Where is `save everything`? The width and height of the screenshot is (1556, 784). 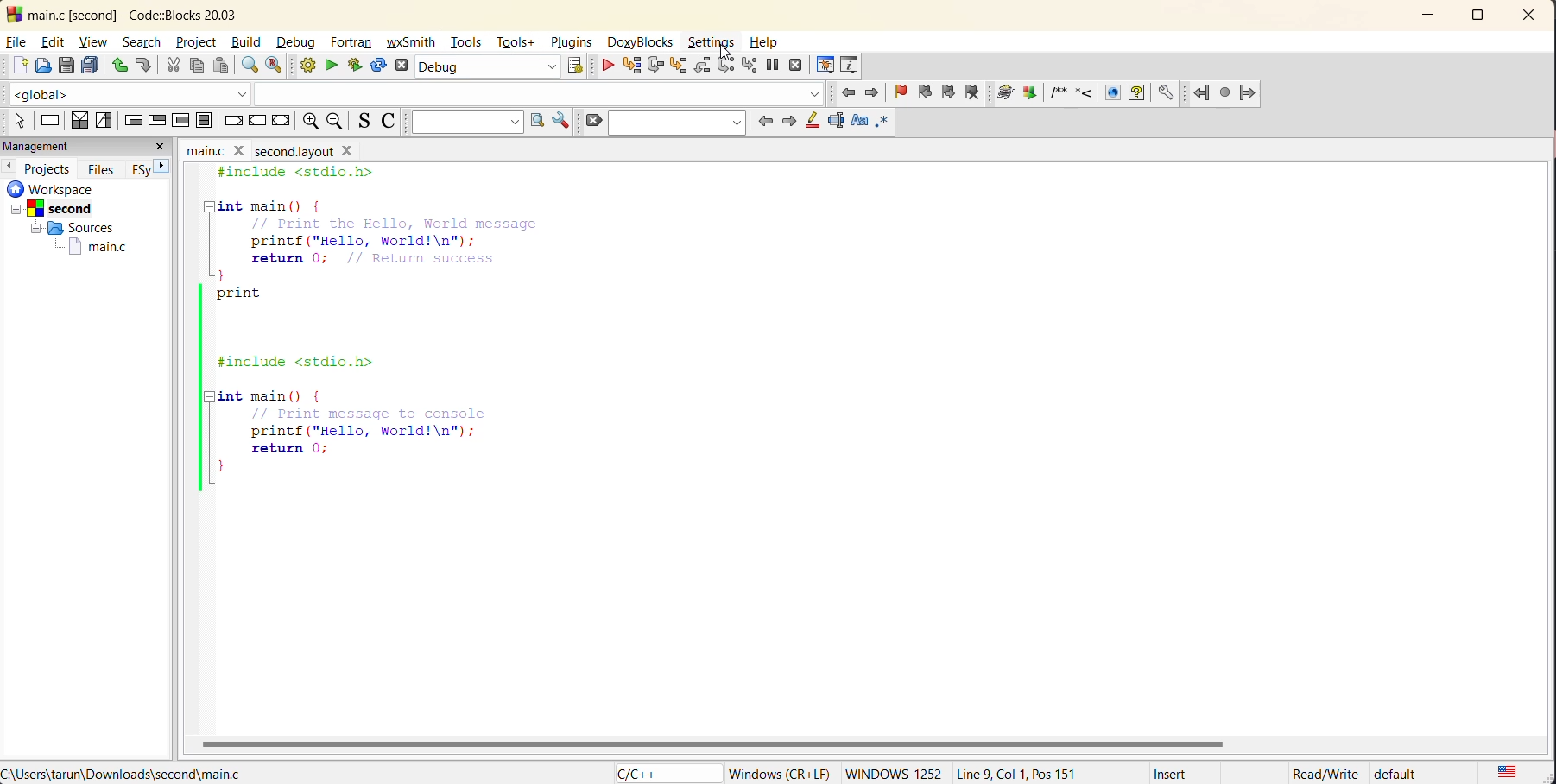 save everything is located at coordinates (92, 66).